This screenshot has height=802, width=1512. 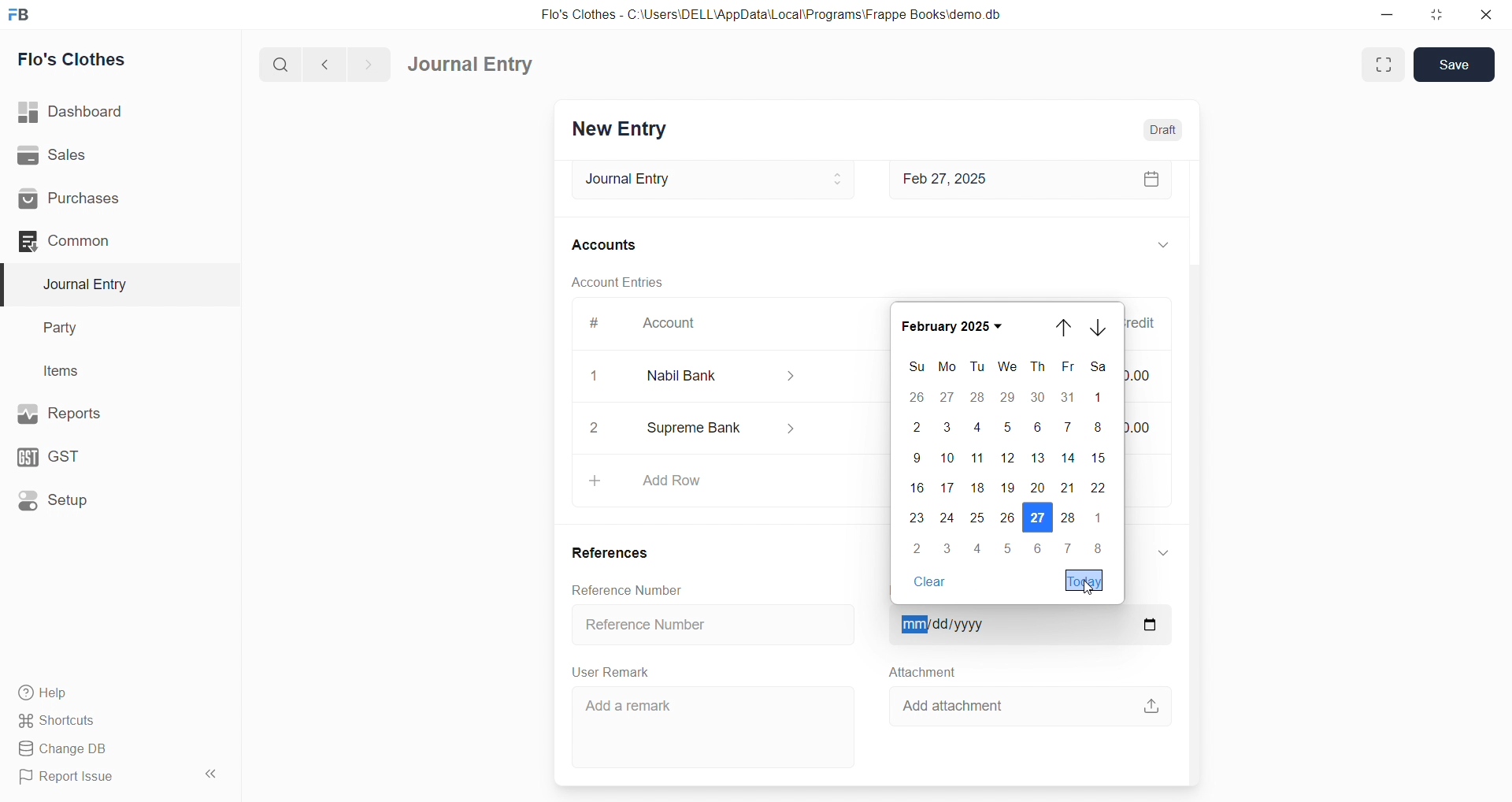 What do you see at coordinates (1085, 580) in the screenshot?
I see `Today` at bounding box center [1085, 580].